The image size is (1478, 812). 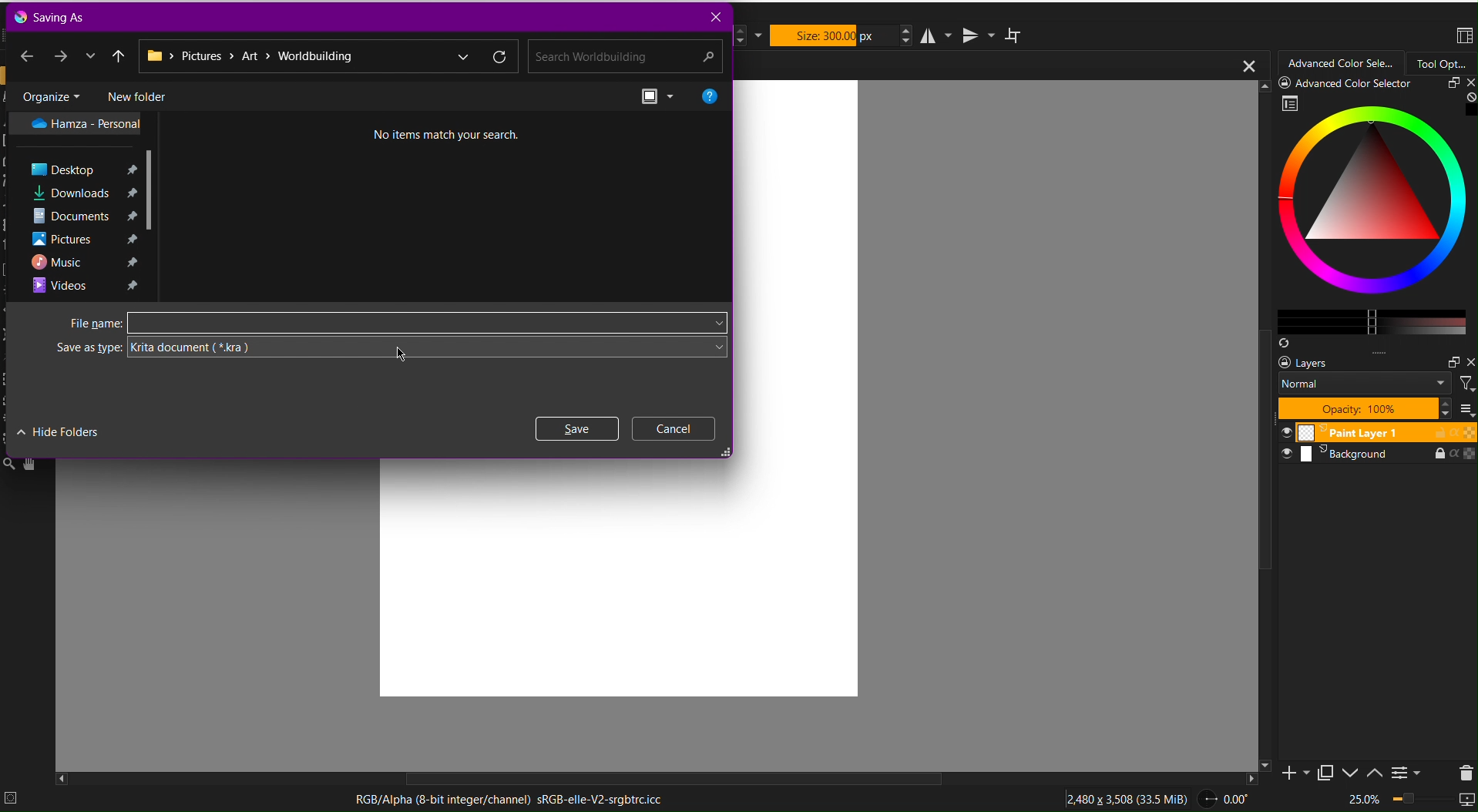 What do you see at coordinates (977, 34) in the screenshot?
I see `Vertical Mirror` at bounding box center [977, 34].